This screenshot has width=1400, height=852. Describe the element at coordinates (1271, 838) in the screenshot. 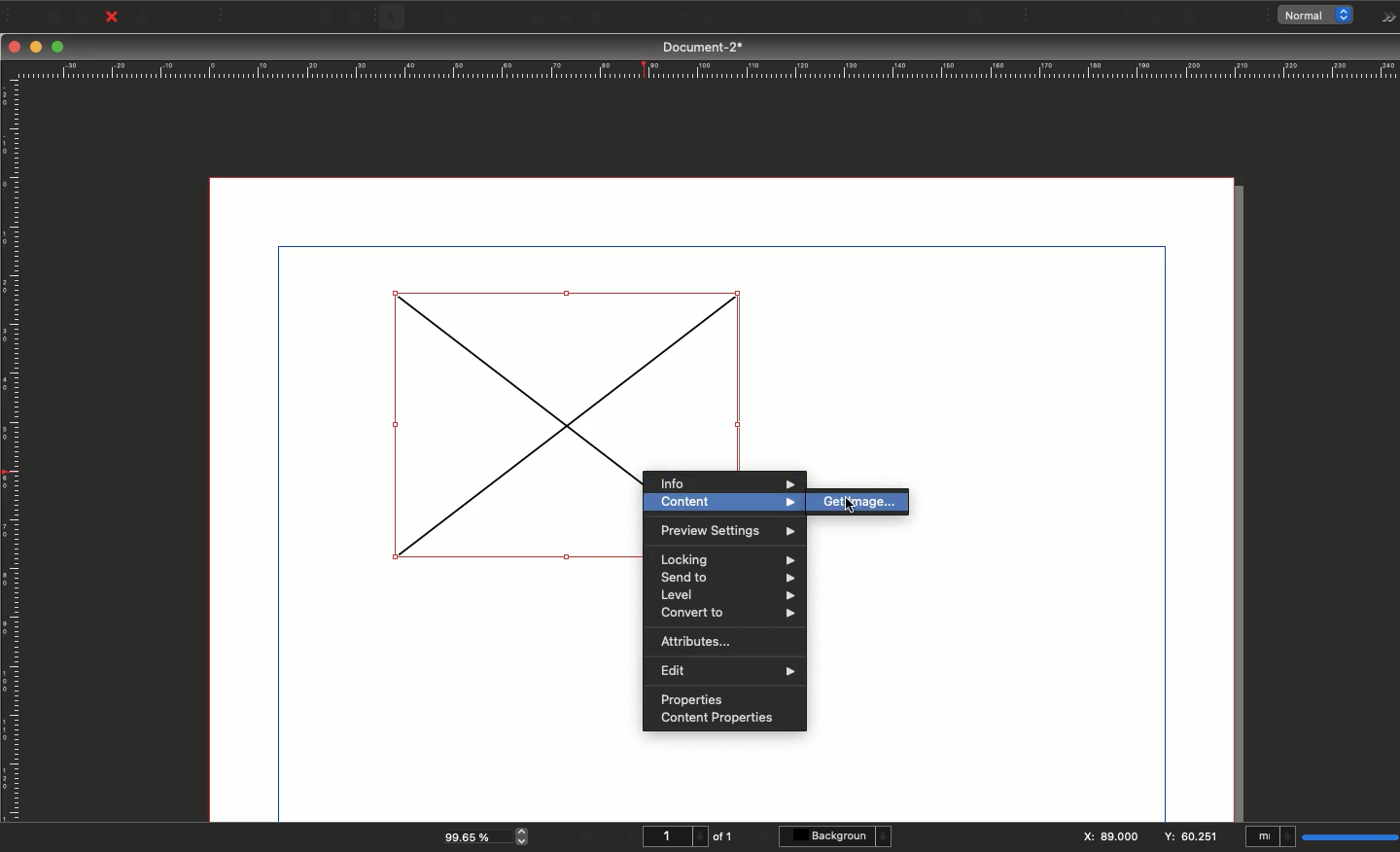

I see `mI` at that location.